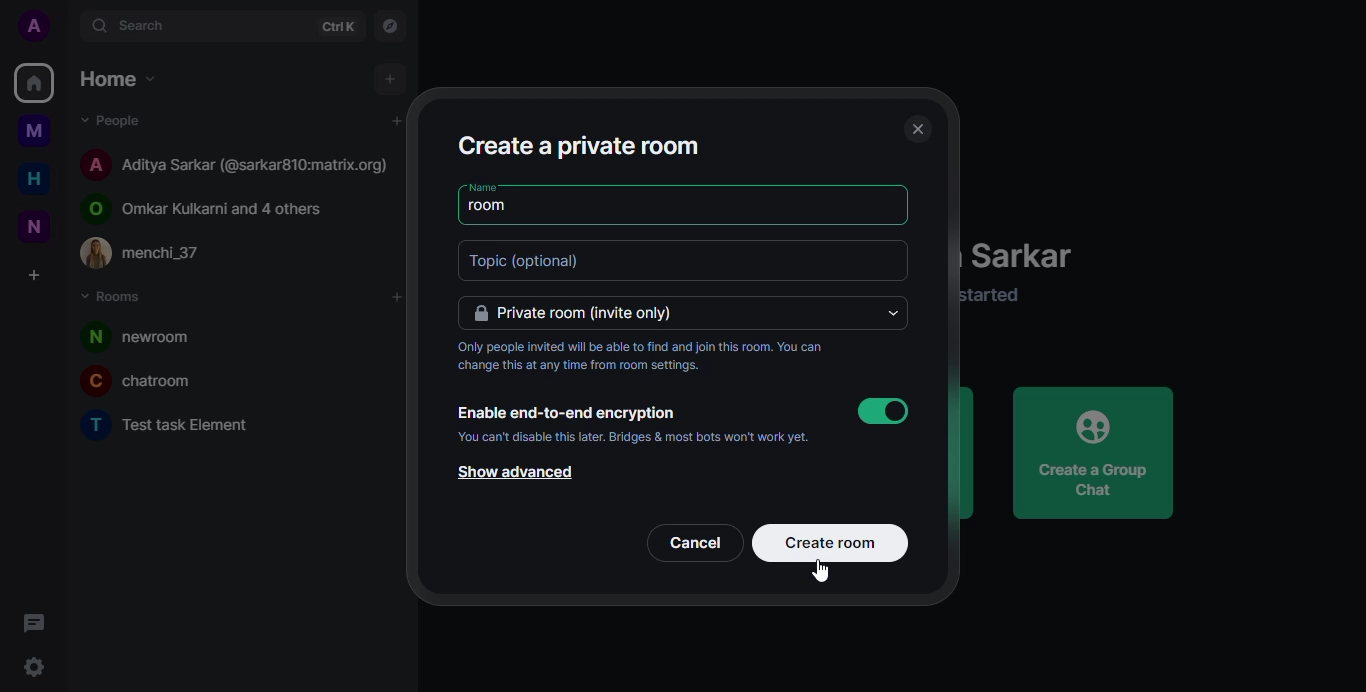 The width and height of the screenshot is (1366, 692). Describe the element at coordinates (890, 313) in the screenshot. I see `drop down` at that location.